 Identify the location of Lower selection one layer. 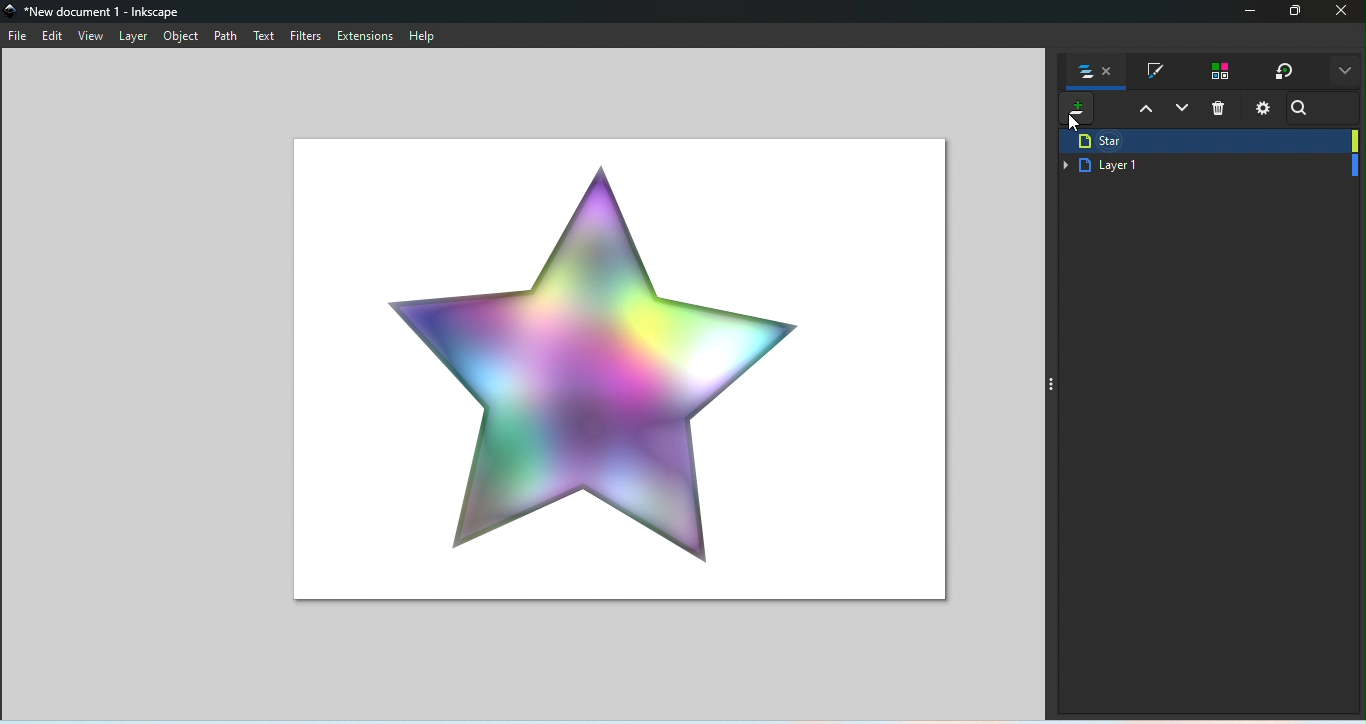
(1183, 112).